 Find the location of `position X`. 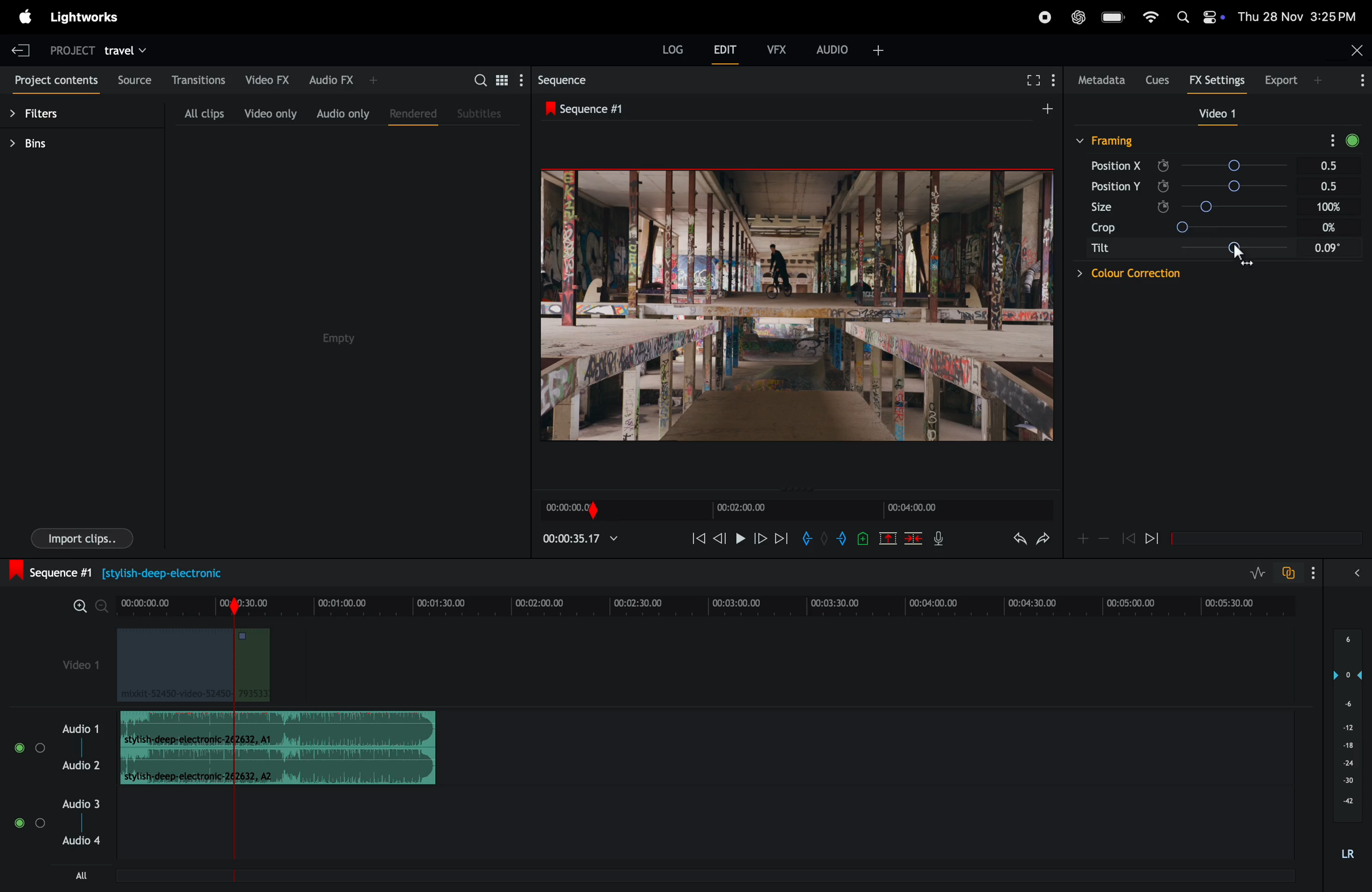

position X is located at coordinates (1116, 167).